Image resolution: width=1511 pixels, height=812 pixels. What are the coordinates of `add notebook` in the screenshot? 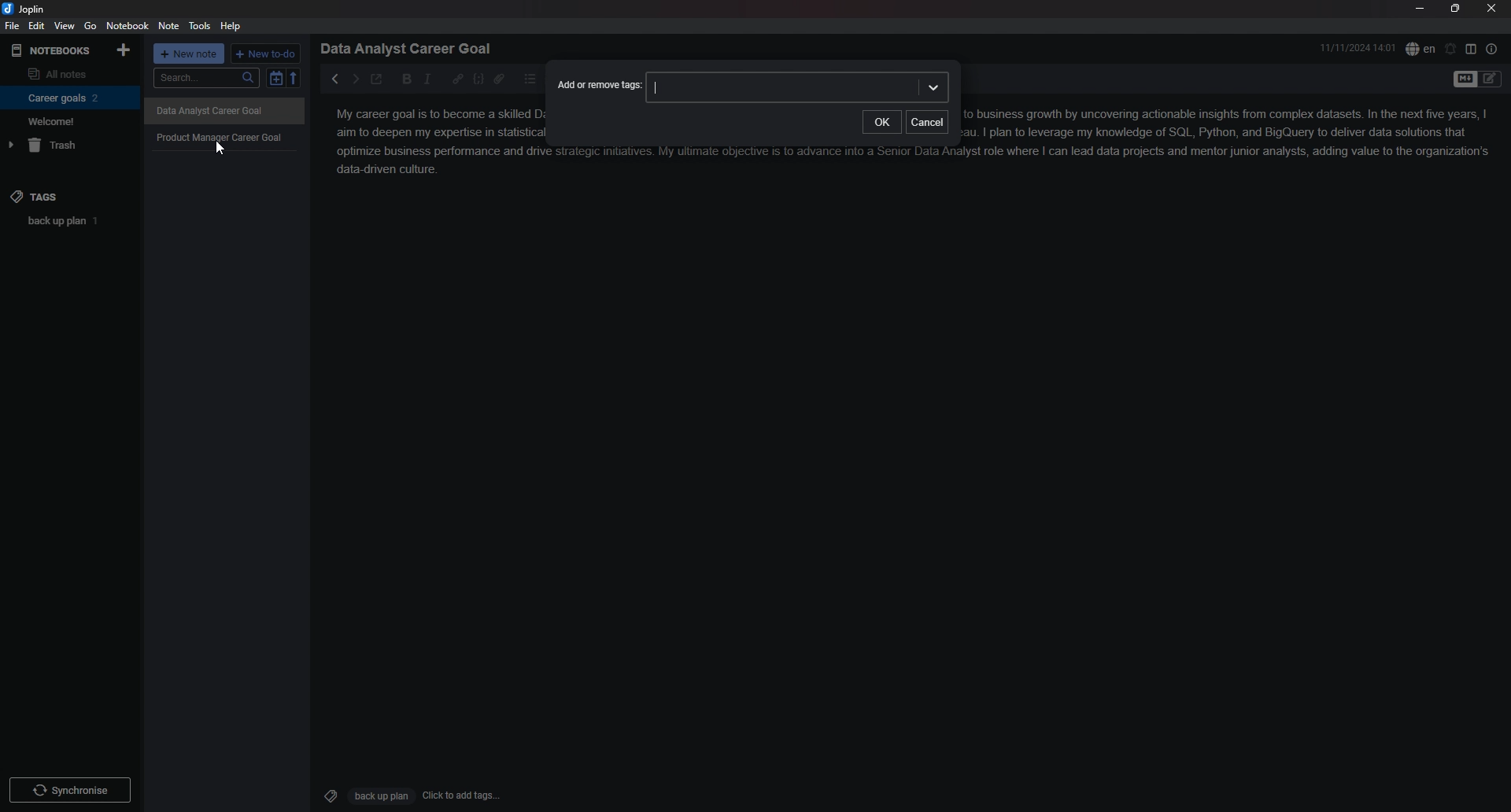 It's located at (125, 50).